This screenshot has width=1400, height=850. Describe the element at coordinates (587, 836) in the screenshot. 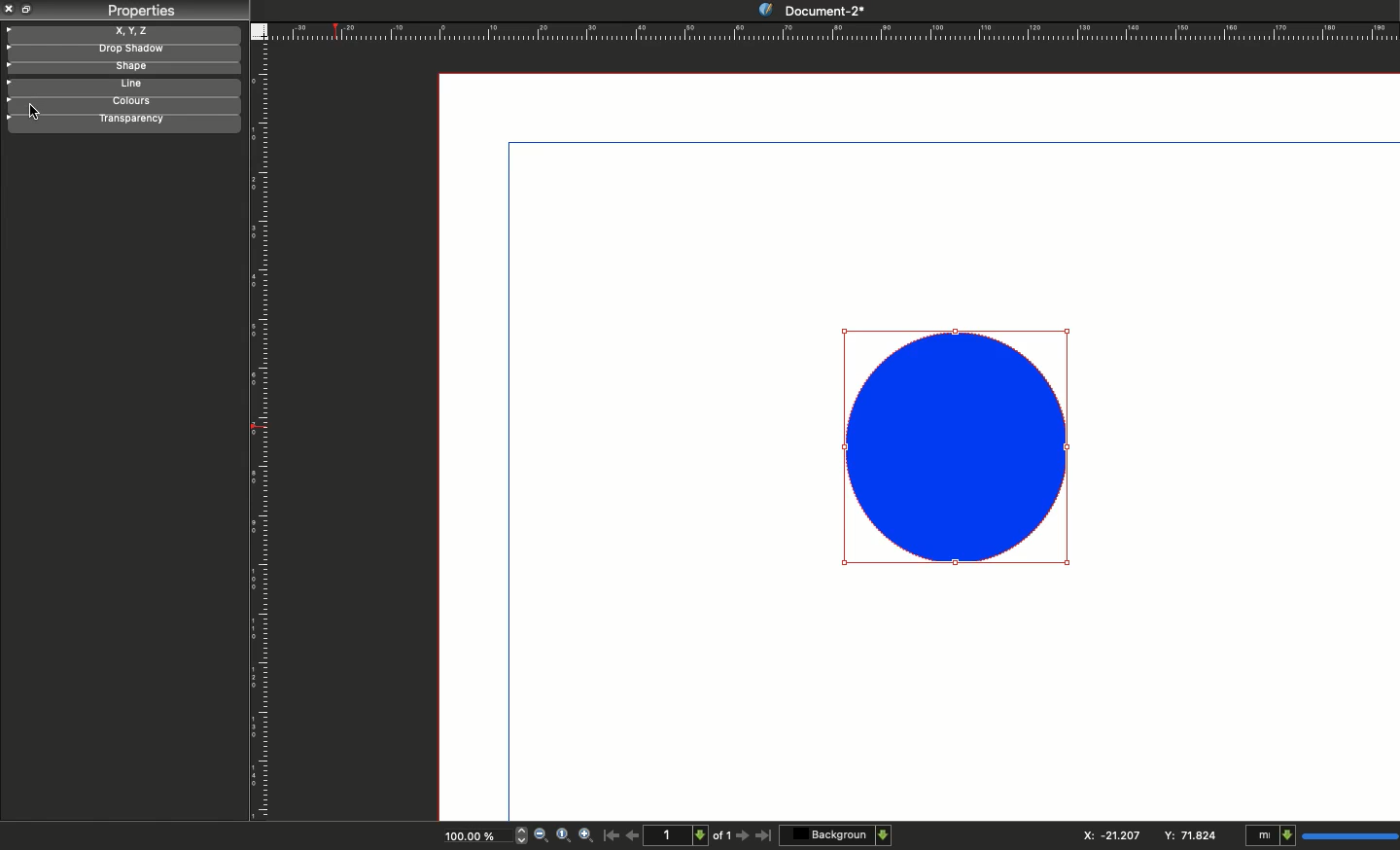

I see `Zoom in` at that location.